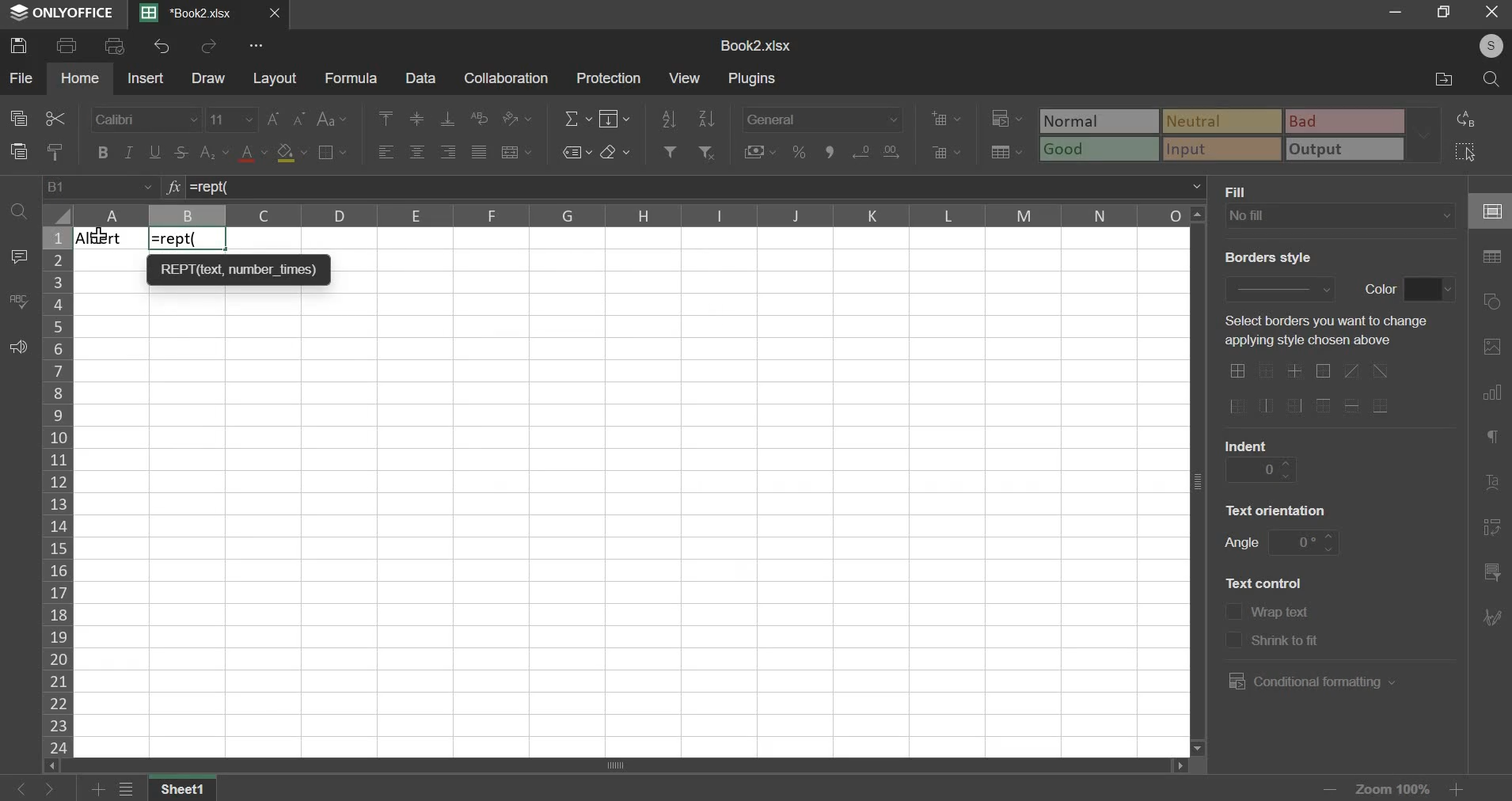 This screenshot has width=1512, height=801. I want to click on protection, so click(609, 77).